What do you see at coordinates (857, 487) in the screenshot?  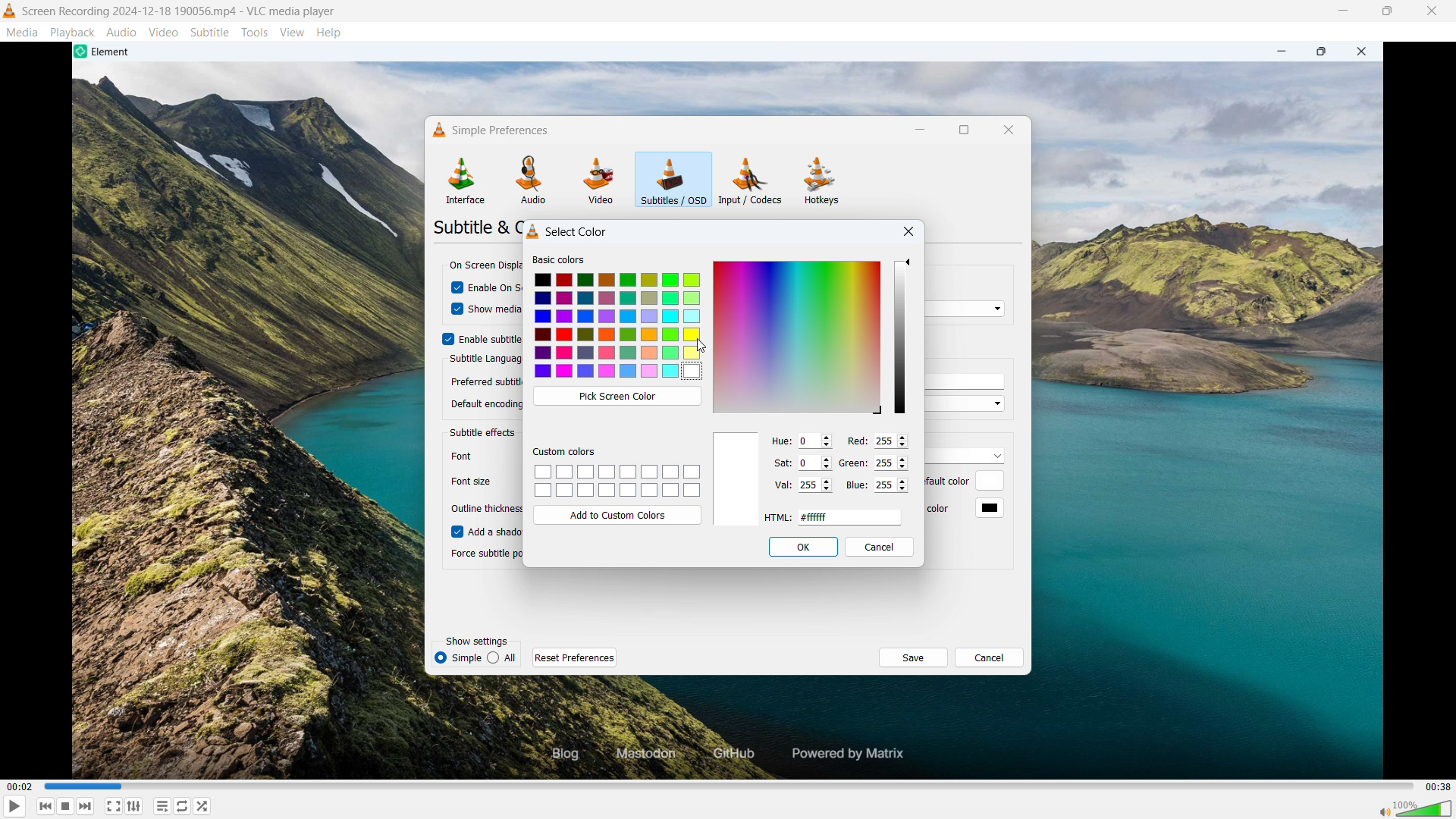 I see `Blue` at bounding box center [857, 487].